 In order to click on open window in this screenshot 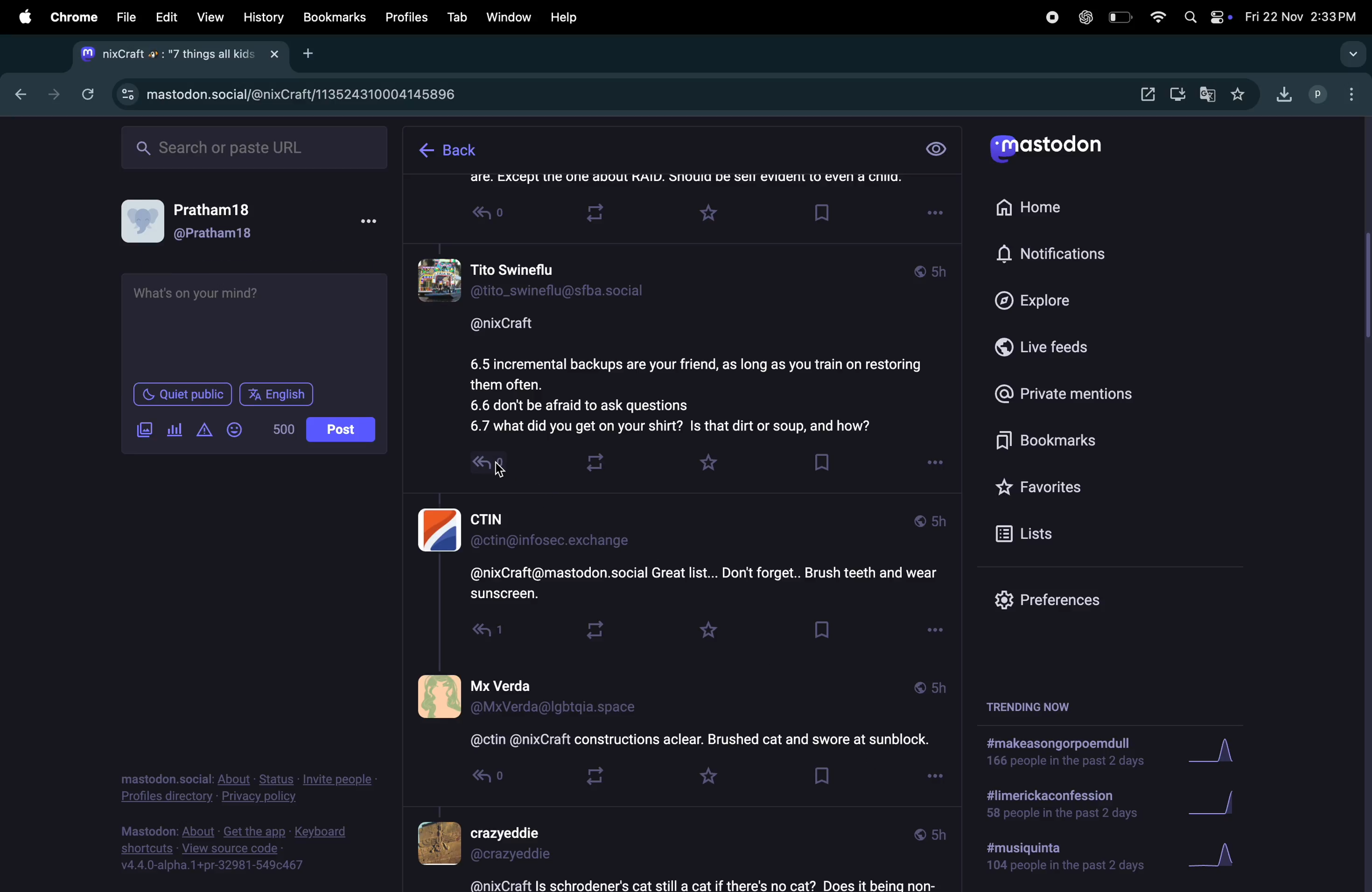, I will do `click(1148, 95)`.